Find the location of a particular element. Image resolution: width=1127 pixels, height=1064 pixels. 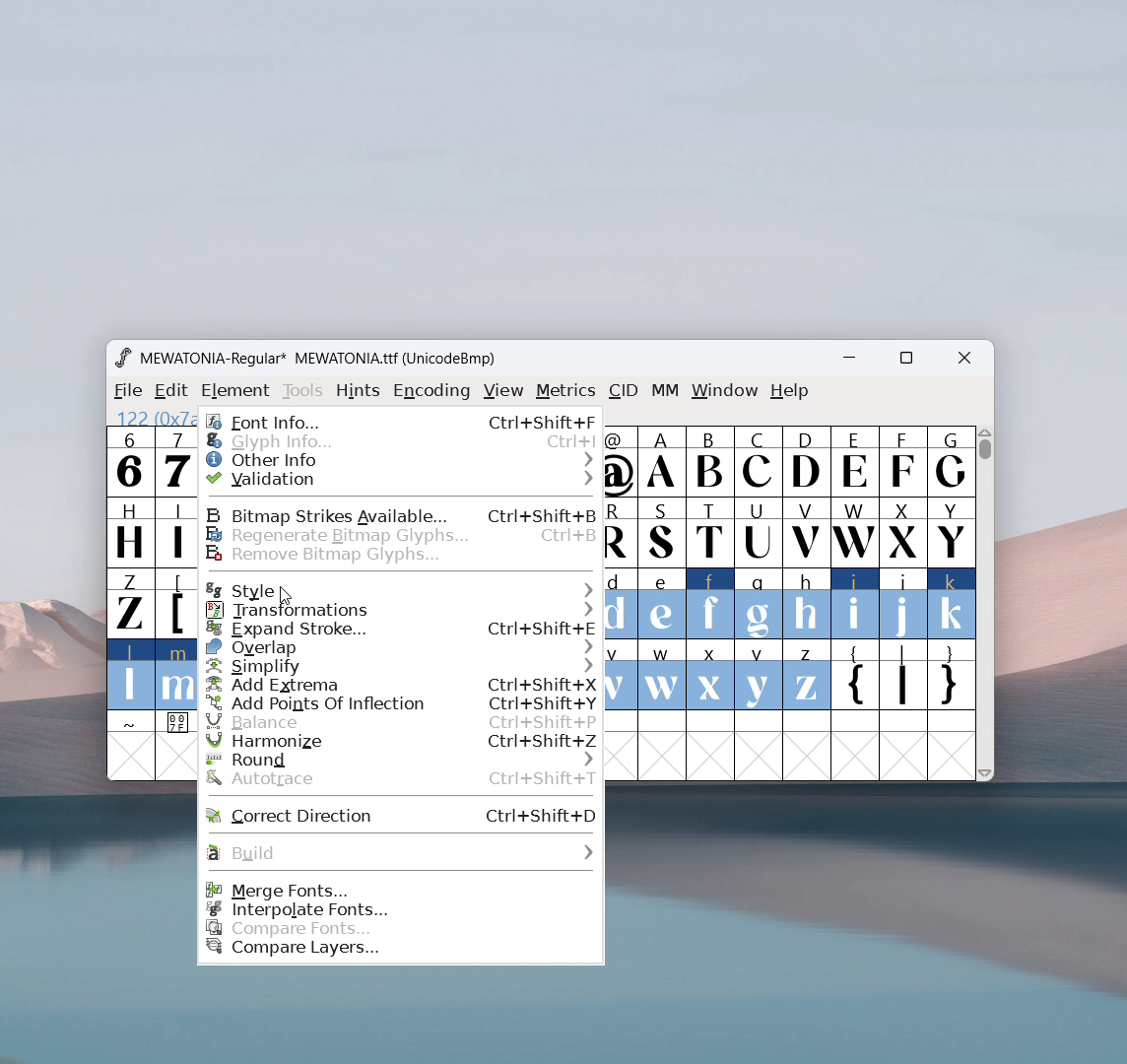

add extrema is located at coordinates (401, 685).